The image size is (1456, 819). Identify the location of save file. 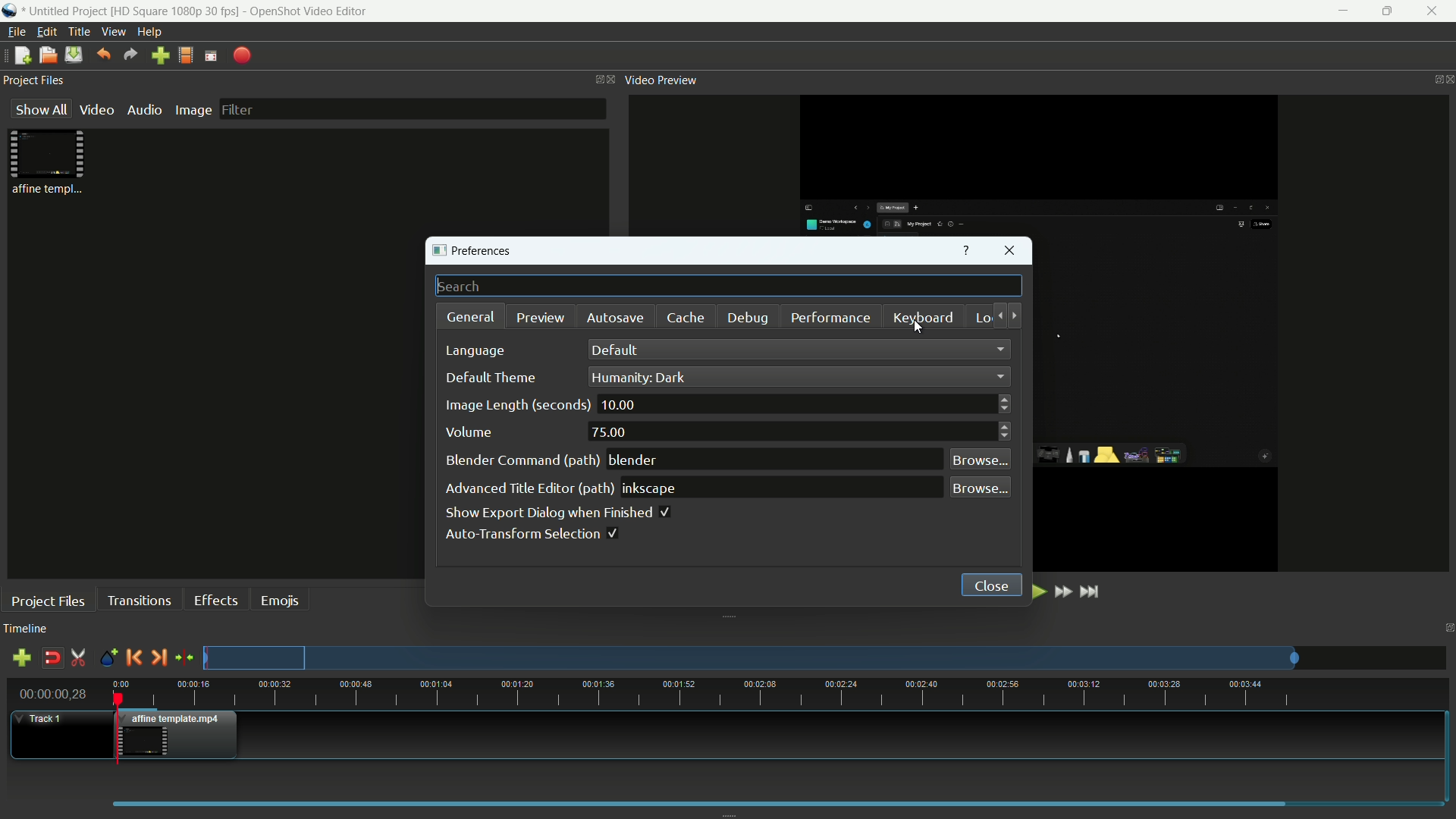
(74, 55).